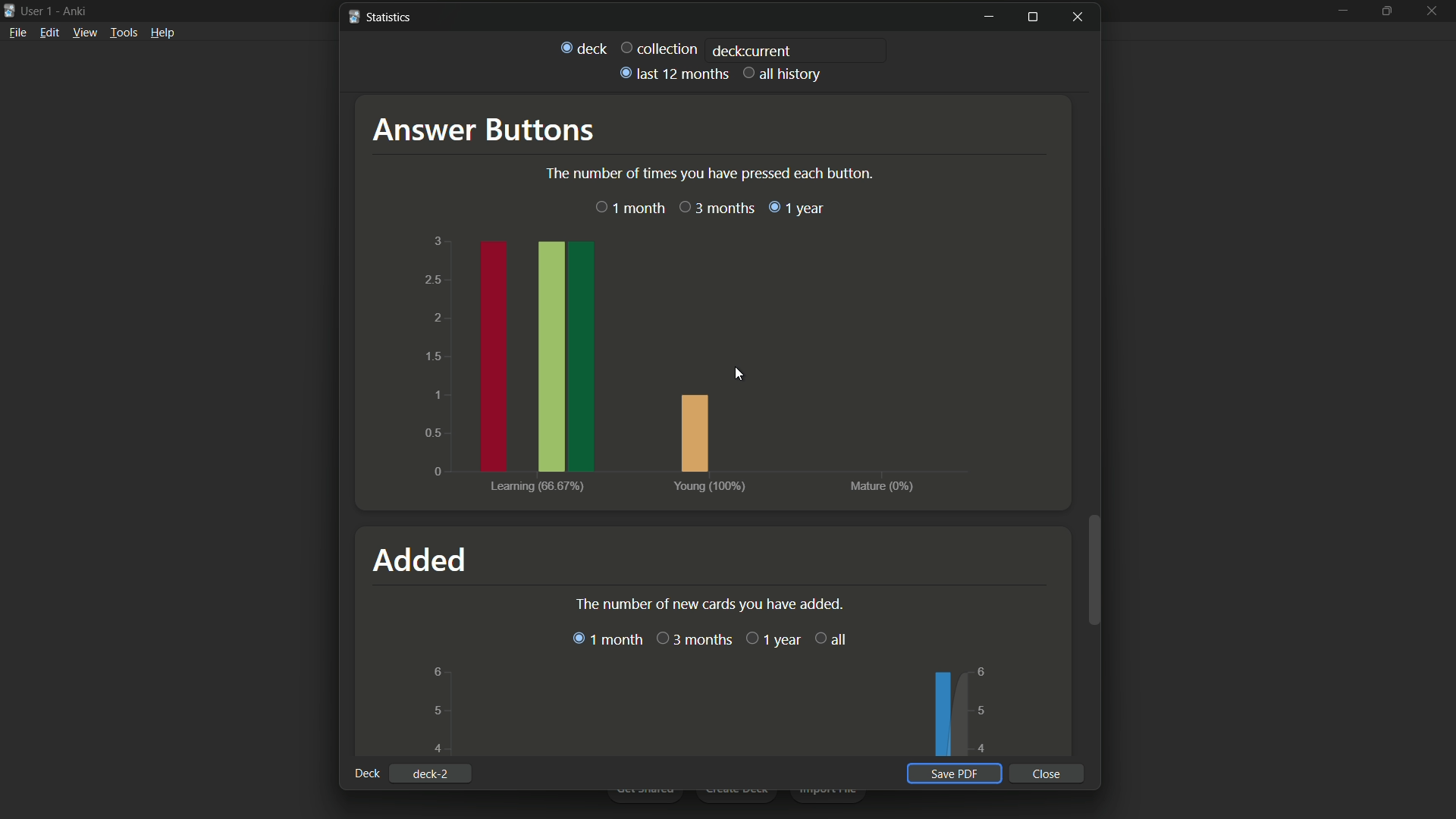  Describe the element at coordinates (752, 50) in the screenshot. I see `deck:current` at that location.